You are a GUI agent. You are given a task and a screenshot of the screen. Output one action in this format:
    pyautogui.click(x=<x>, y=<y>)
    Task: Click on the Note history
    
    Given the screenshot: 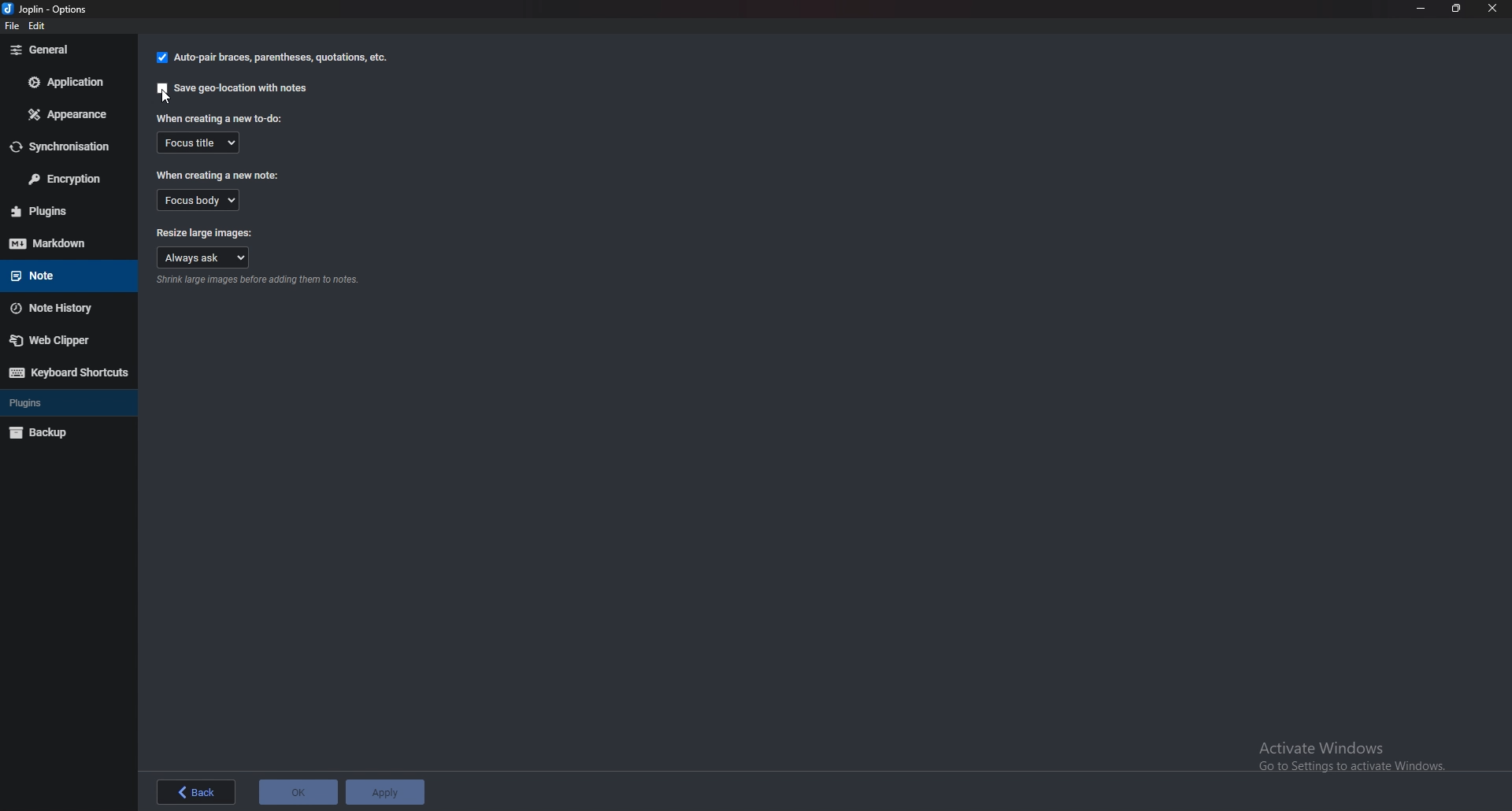 What is the action you would take?
    pyautogui.click(x=63, y=308)
    